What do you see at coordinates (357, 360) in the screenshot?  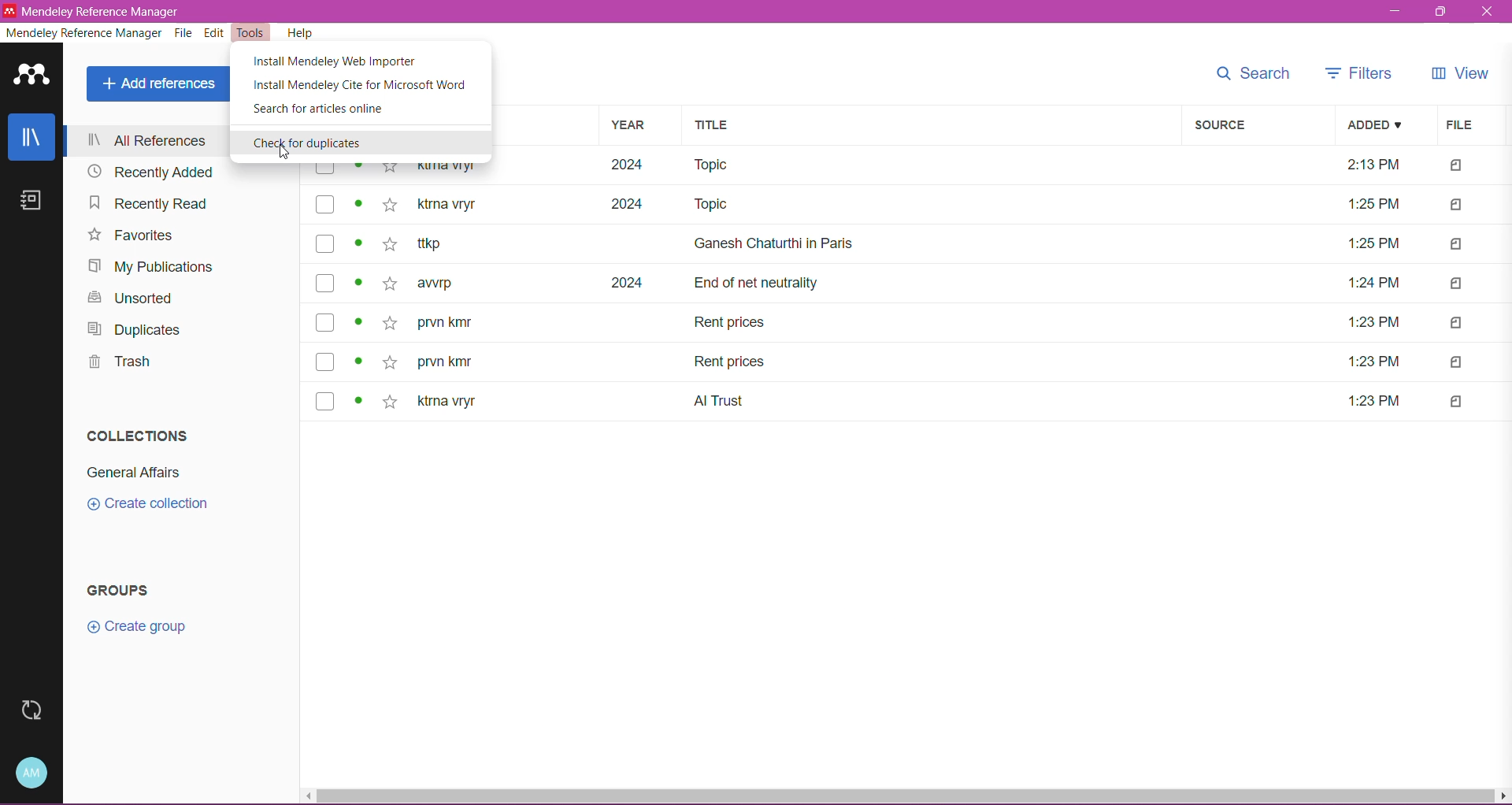 I see `read` at bounding box center [357, 360].